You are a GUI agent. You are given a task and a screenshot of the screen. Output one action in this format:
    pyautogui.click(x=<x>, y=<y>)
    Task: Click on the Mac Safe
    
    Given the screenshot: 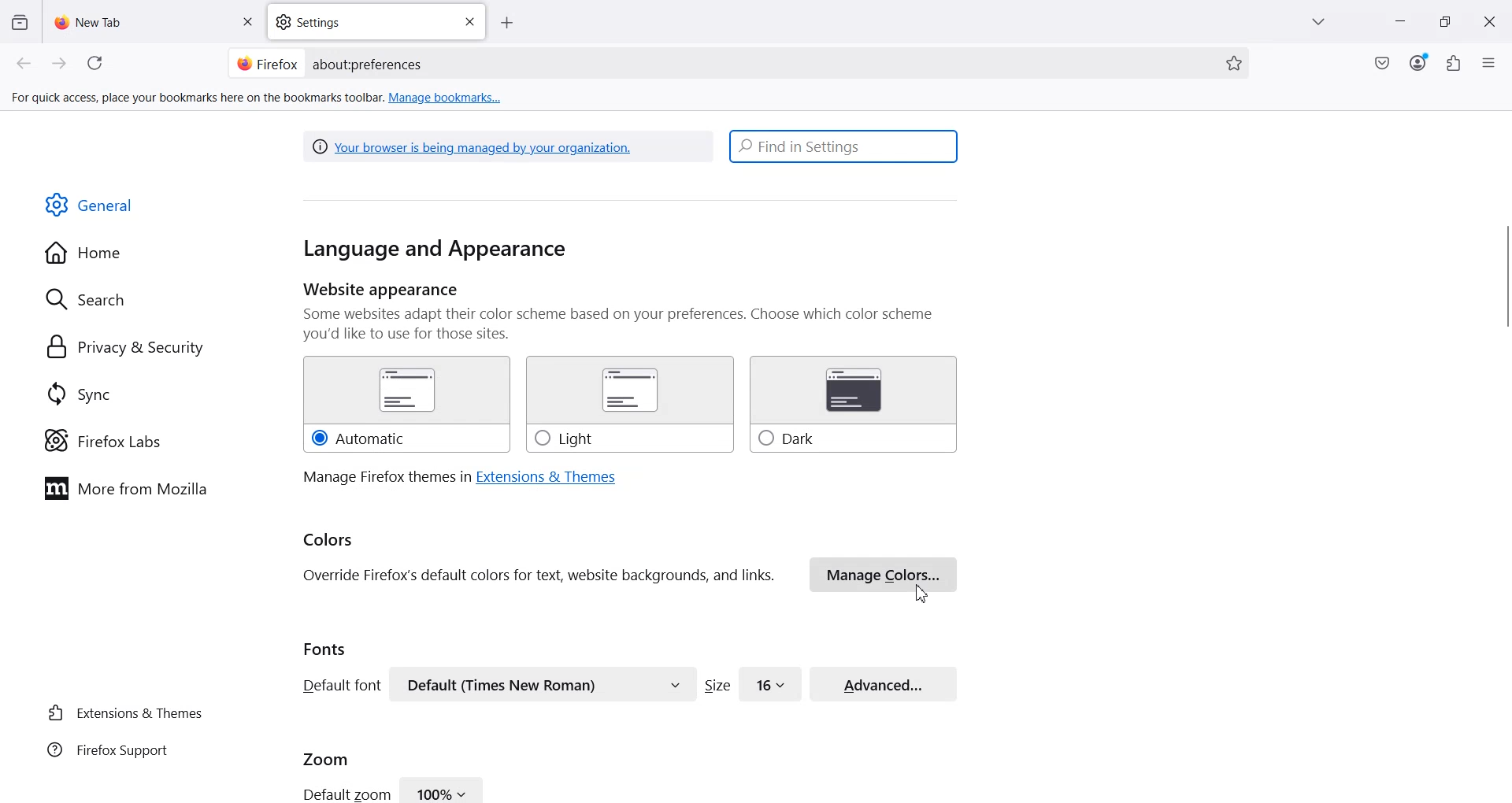 What is the action you would take?
    pyautogui.click(x=1382, y=63)
    